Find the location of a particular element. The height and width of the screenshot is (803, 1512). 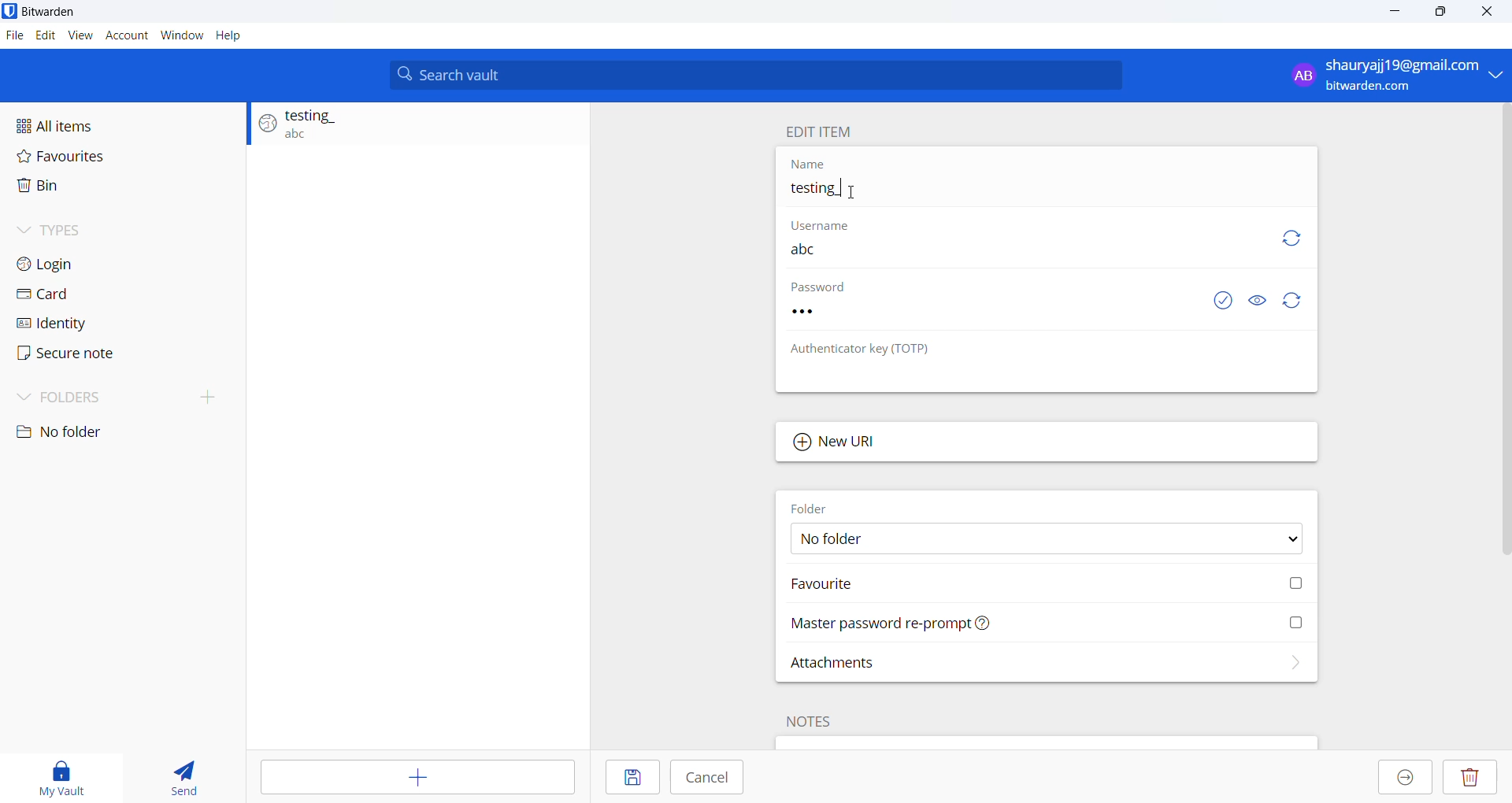

Refresh is located at coordinates (1294, 303).